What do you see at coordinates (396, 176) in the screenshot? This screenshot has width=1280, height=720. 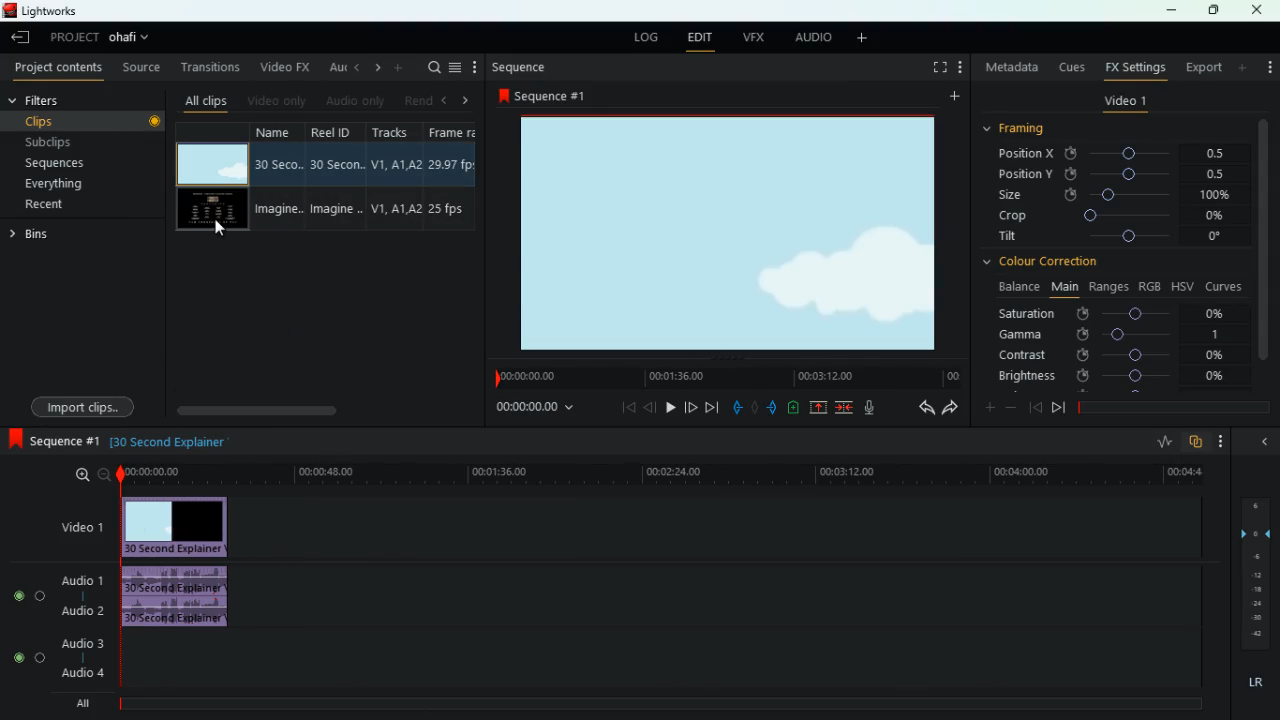 I see `tracks` at bounding box center [396, 176].